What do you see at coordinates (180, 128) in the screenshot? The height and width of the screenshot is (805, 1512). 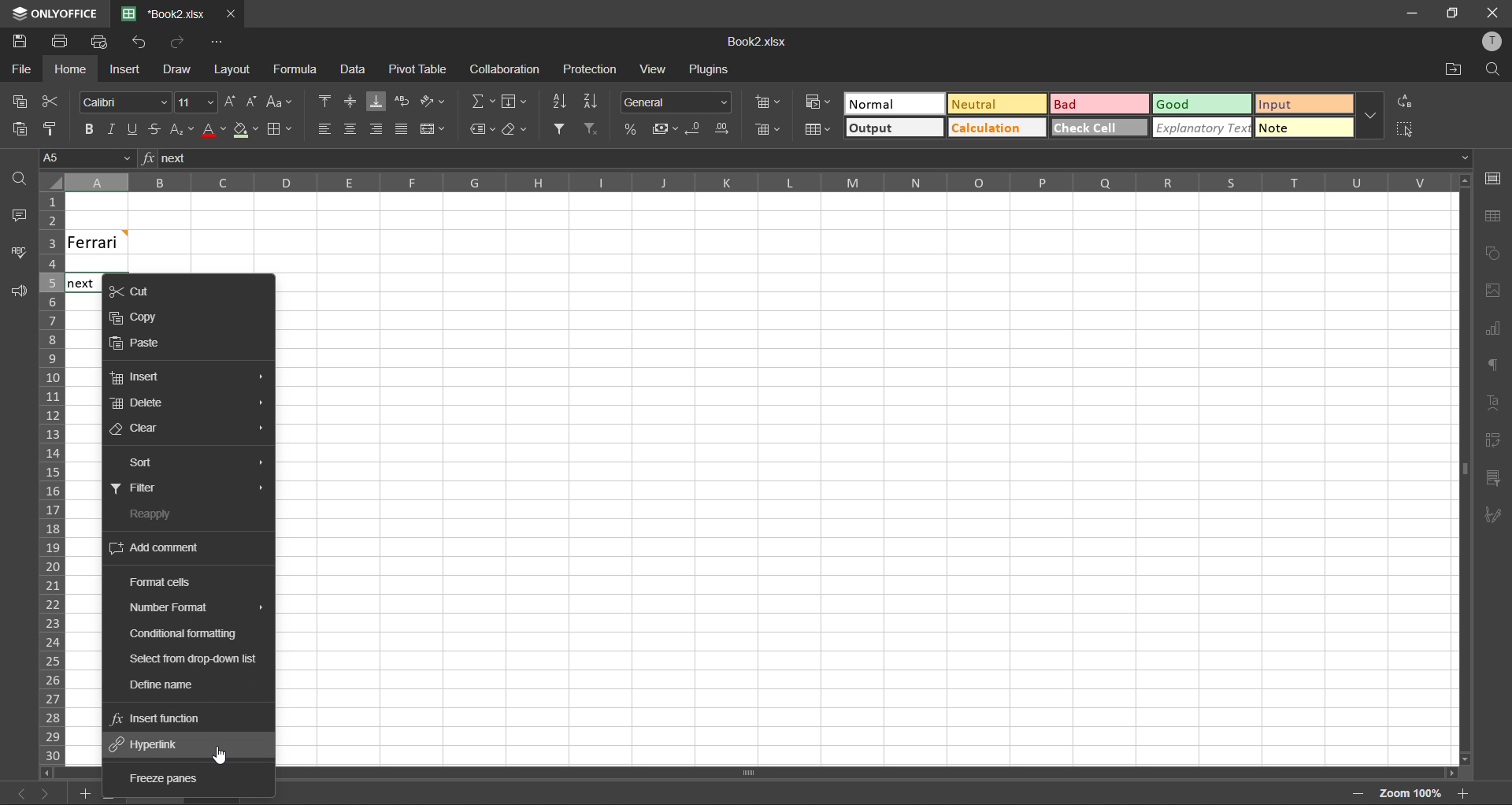 I see `sub/superscript` at bounding box center [180, 128].